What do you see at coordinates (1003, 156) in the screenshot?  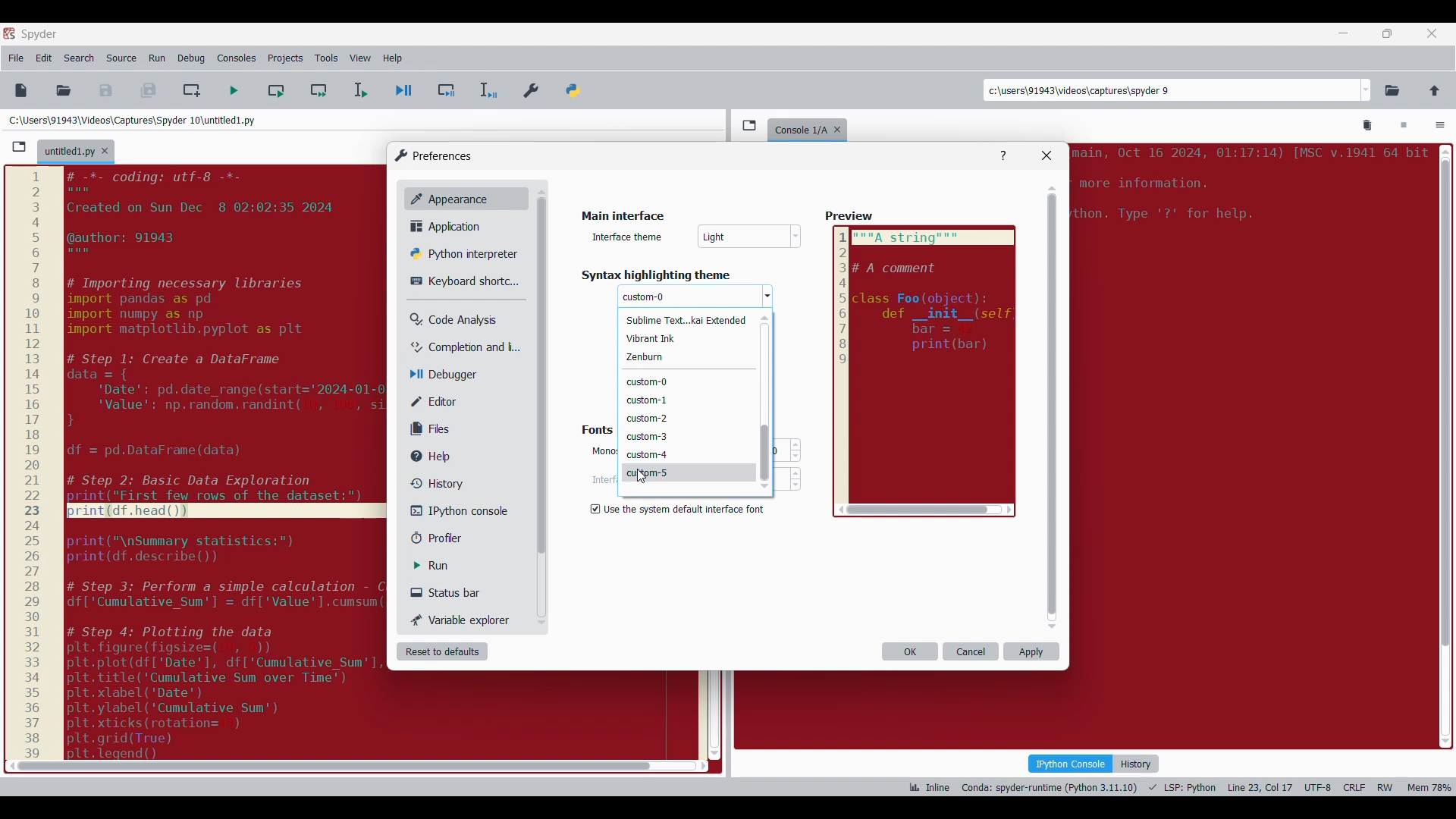 I see `Help` at bounding box center [1003, 156].